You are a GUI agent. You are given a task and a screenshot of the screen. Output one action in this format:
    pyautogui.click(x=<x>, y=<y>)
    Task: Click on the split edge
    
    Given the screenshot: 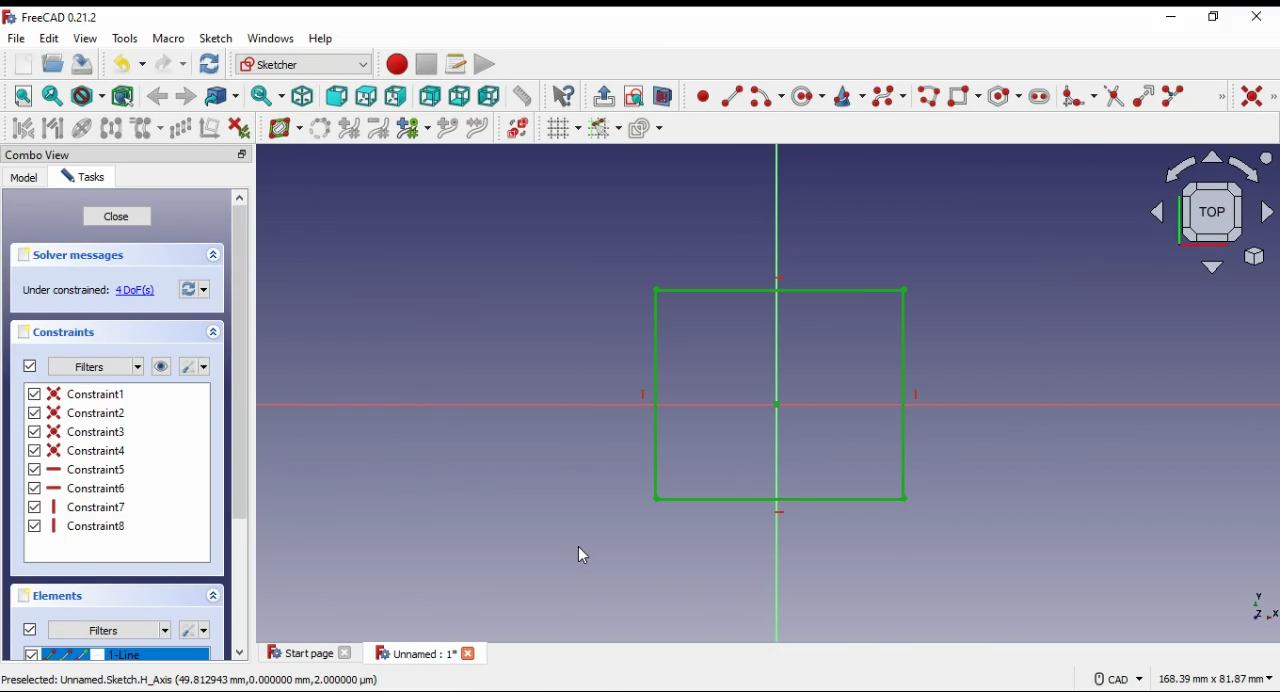 What is the action you would take?
    pyautogui.click(x=1174, y=94)
    